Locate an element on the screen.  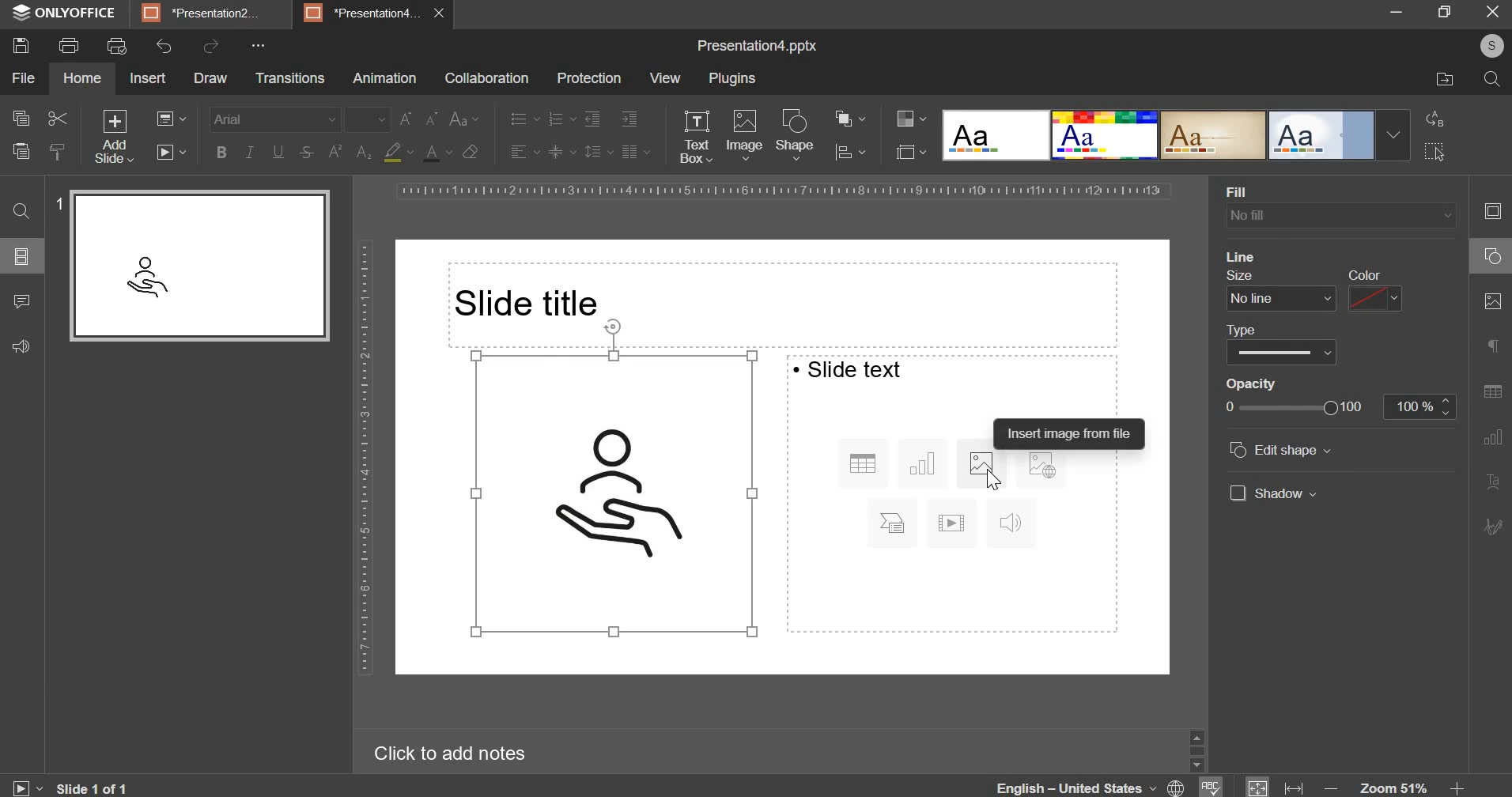
text box is located at coordinates (697, 138).